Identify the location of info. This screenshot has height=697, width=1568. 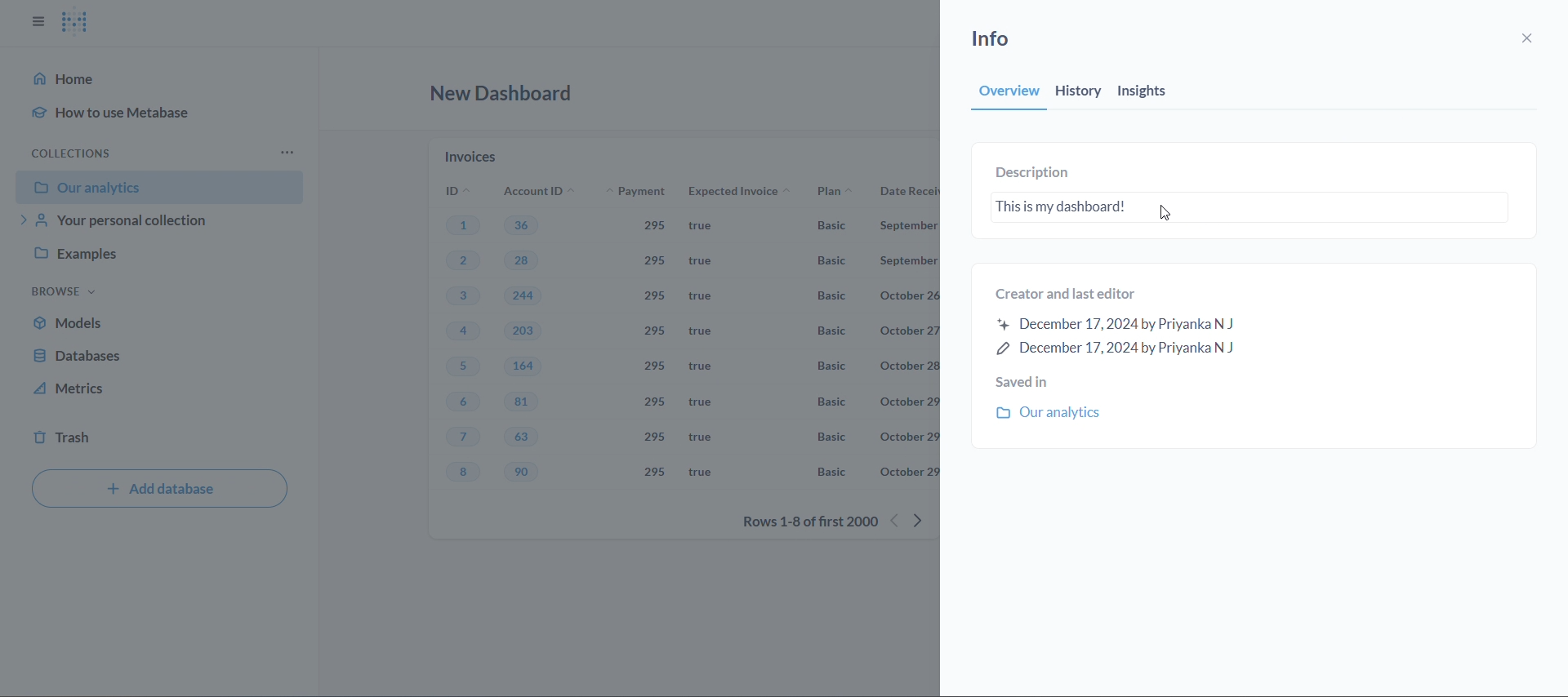
(1005, 37).